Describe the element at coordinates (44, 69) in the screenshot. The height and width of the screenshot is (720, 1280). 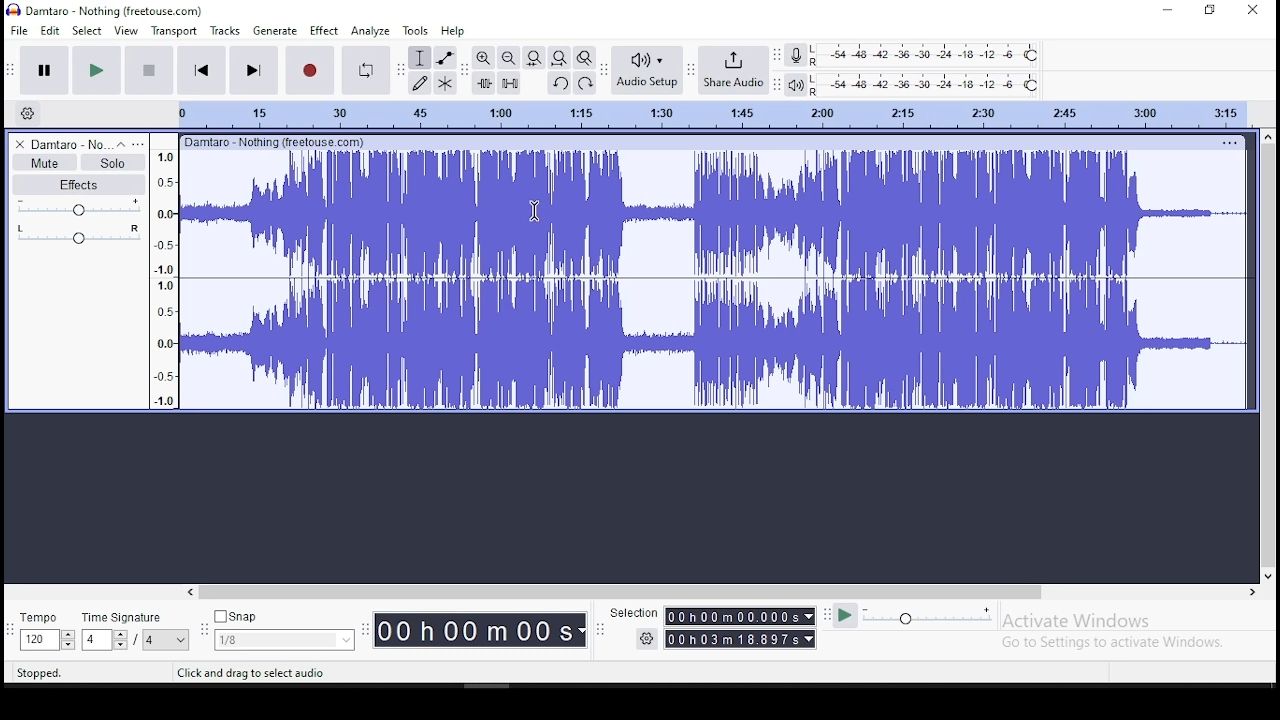
I see `pause` at that location.